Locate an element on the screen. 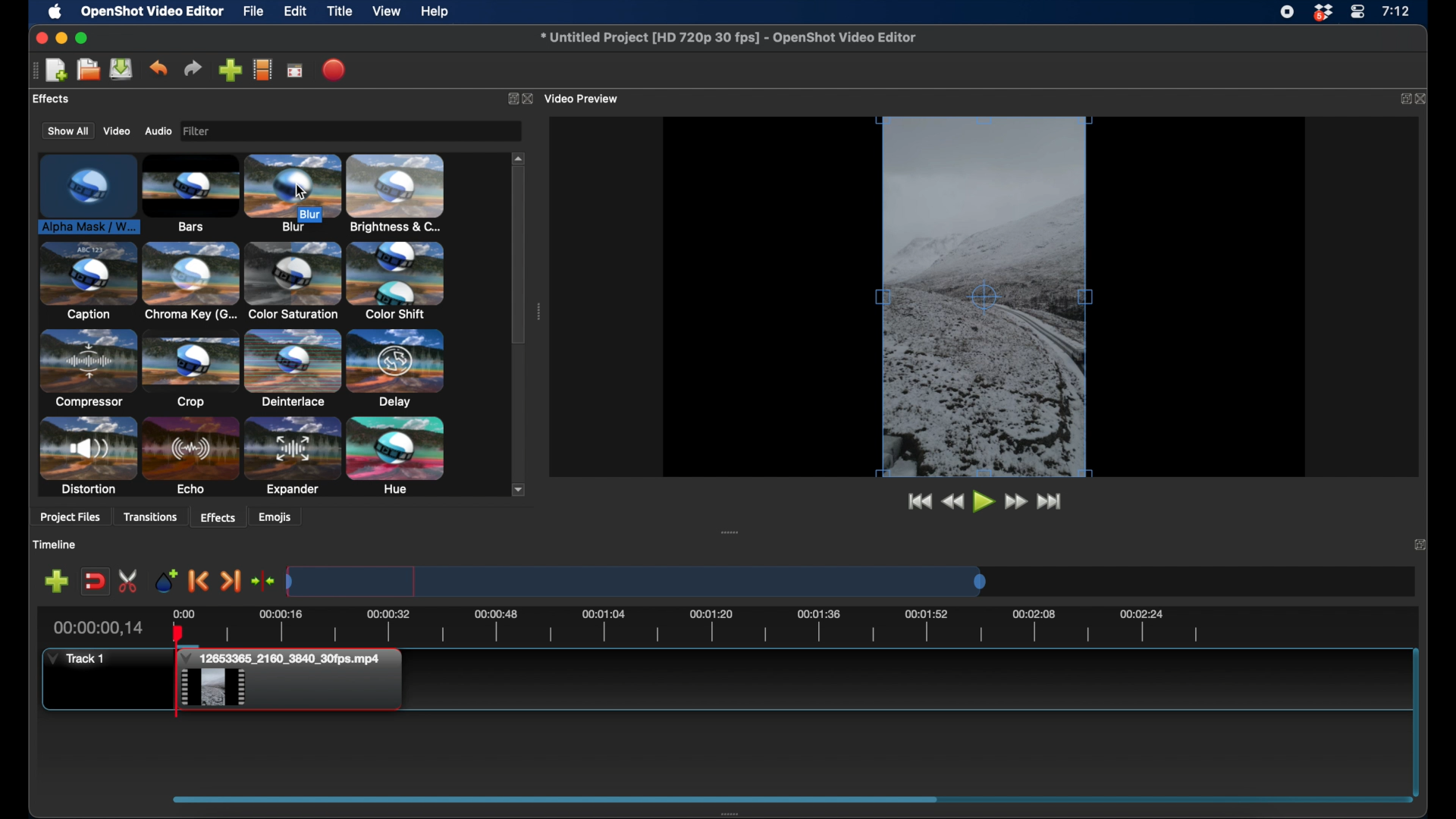 Image resolution: width=1456 pixels, height=819 pixels. next marker is located at coordinates (232, 582).